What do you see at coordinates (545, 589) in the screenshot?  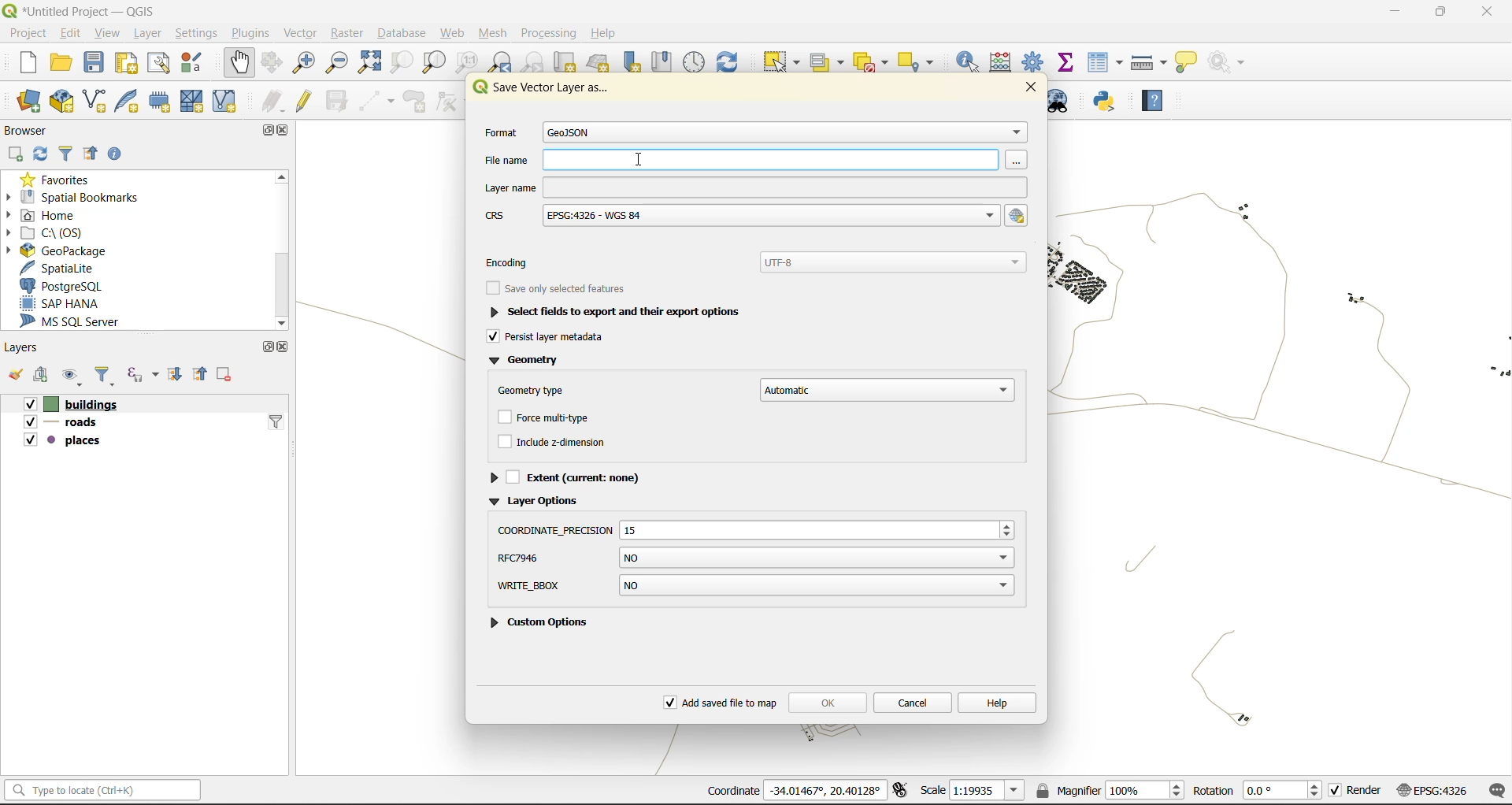 I see `custom options` at bounding box center [545, 589].